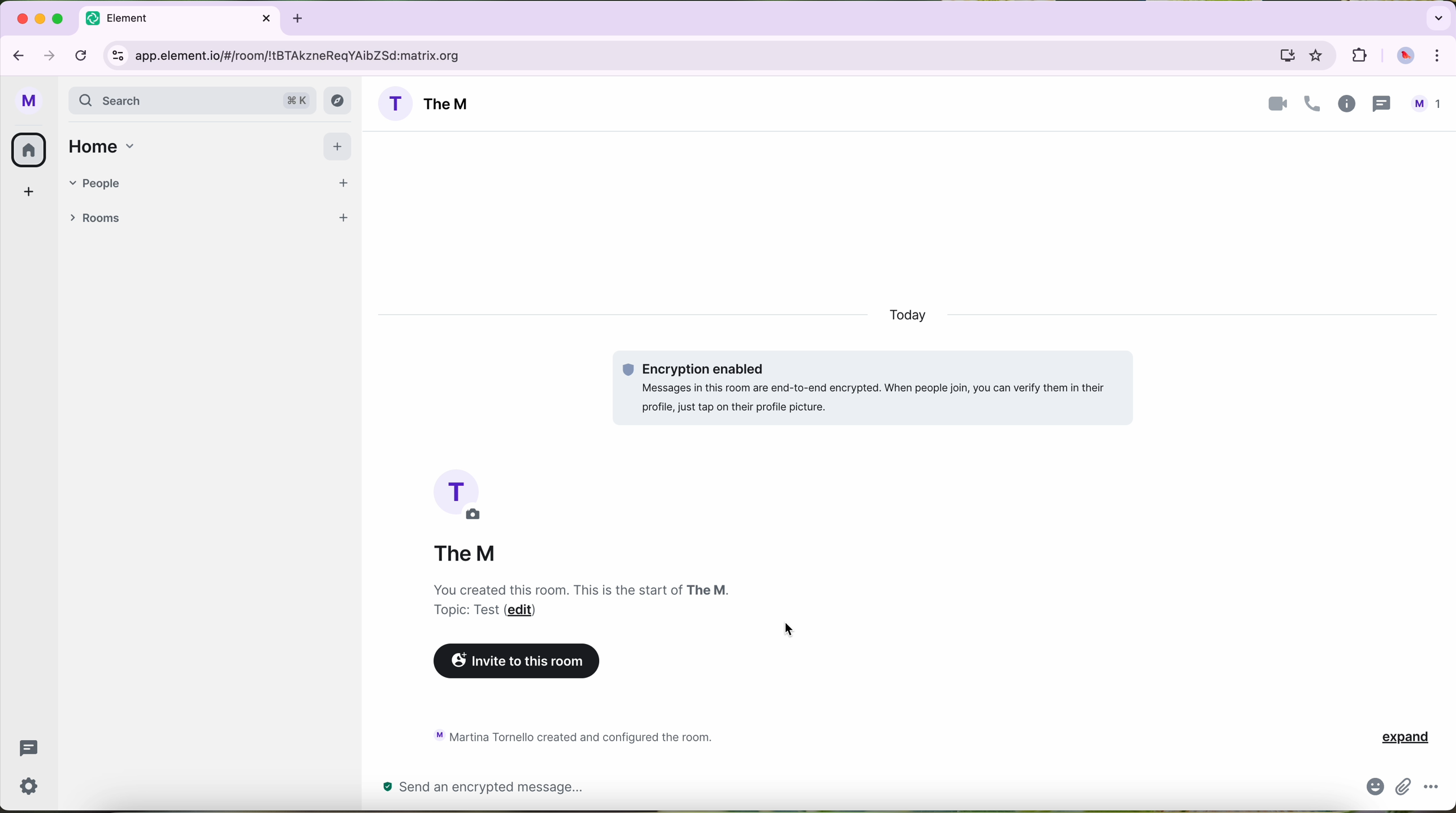 Image resolution: width=1456 pixels, height=813 pixels. What do you see at coordinates (21, 19) in the screenshot?
I see `close Google Chrome` at bounding box center [21, 19].